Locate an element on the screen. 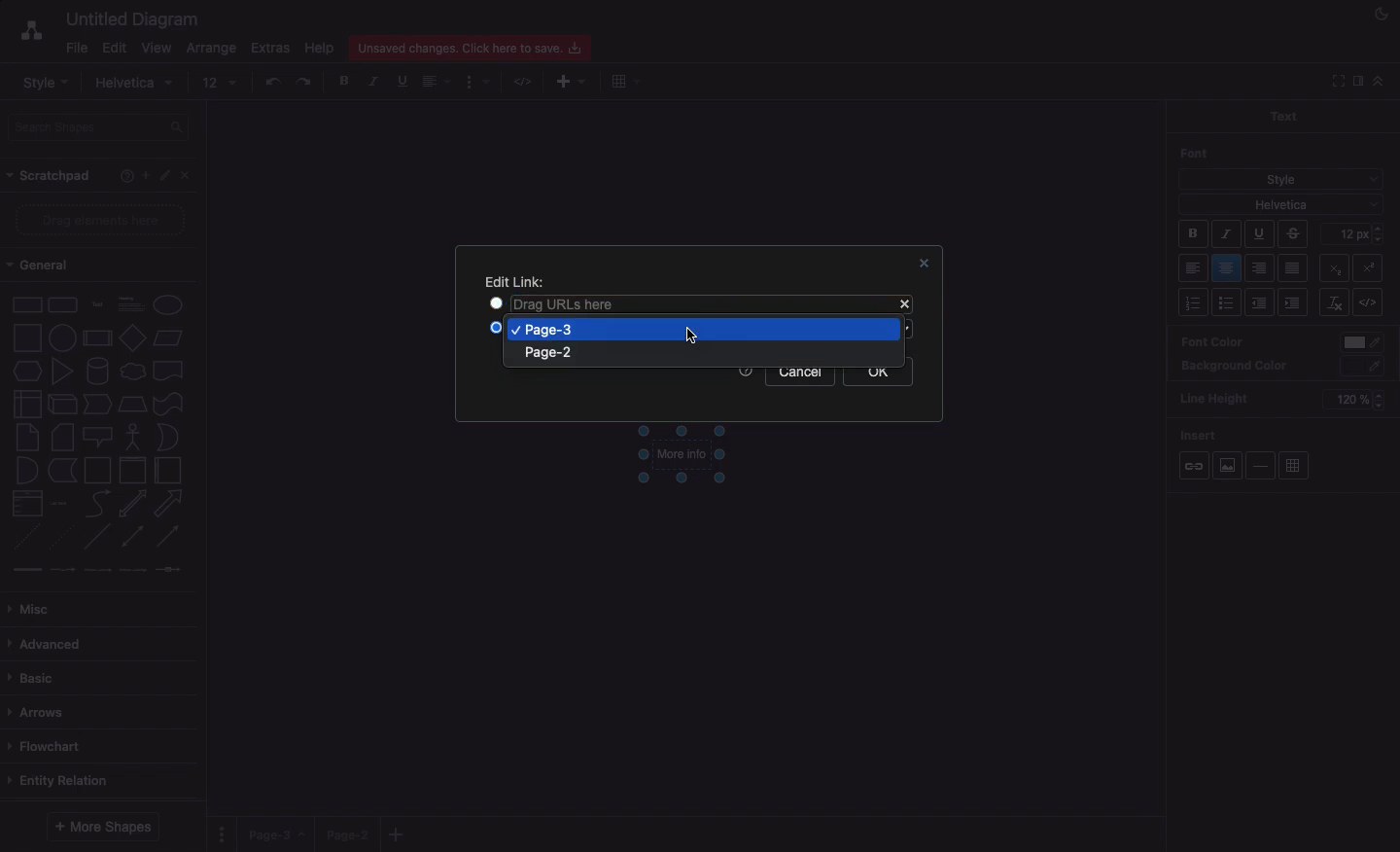  Close is located at coordinates (925, 263).